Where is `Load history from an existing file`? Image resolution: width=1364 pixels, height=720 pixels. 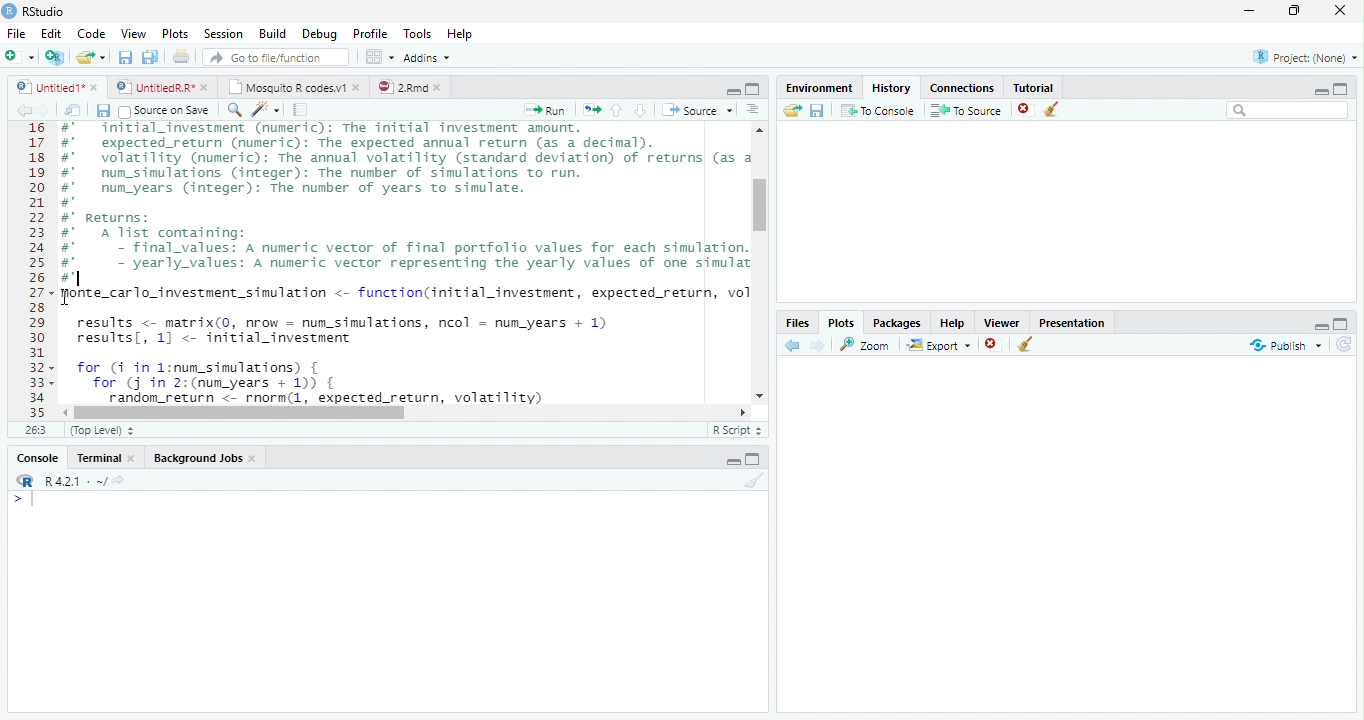
Load history from an existing file is located at coordinates (791, 111).